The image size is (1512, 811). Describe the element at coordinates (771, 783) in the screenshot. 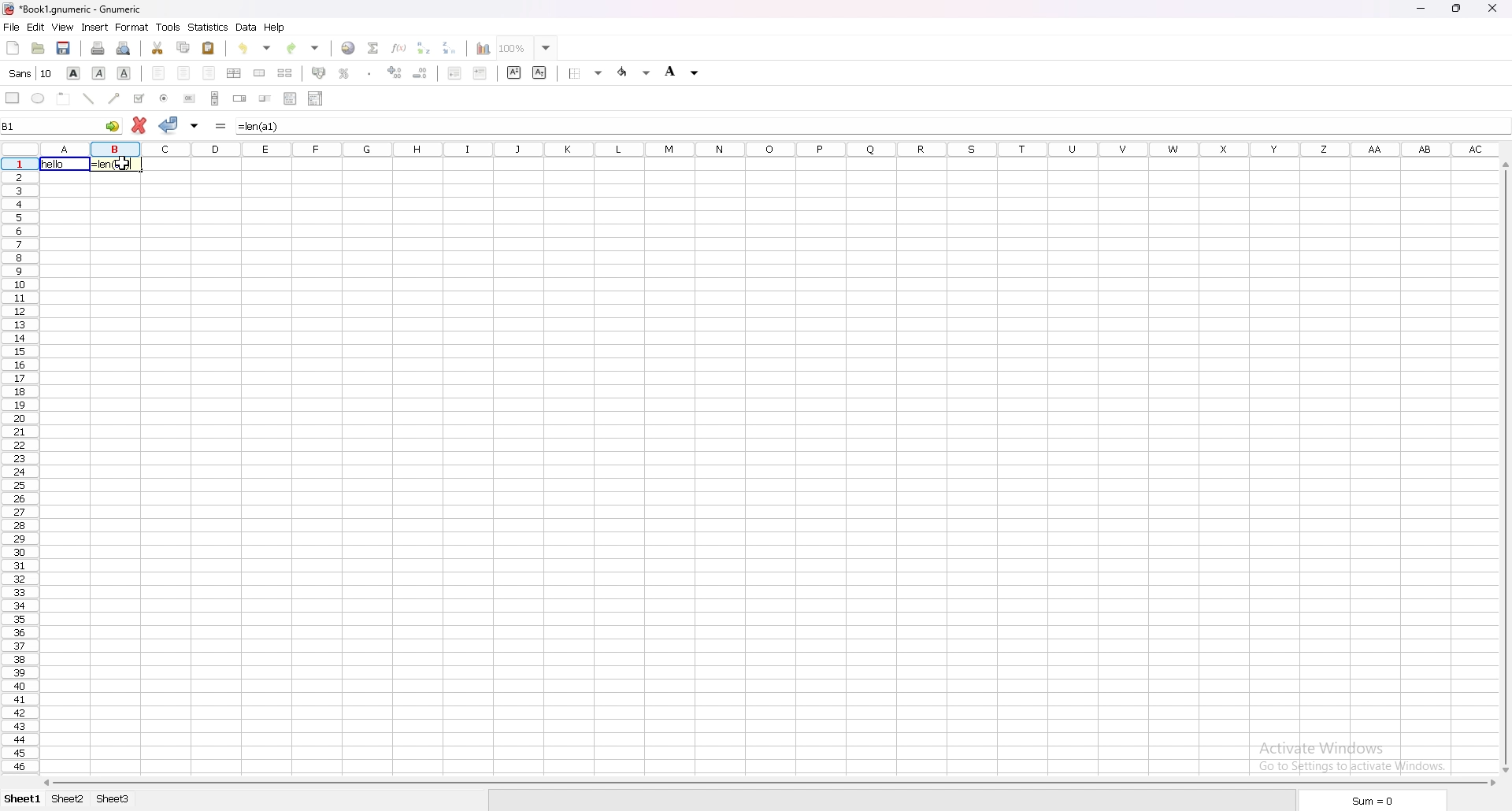

I see `scroll bar` at that location.